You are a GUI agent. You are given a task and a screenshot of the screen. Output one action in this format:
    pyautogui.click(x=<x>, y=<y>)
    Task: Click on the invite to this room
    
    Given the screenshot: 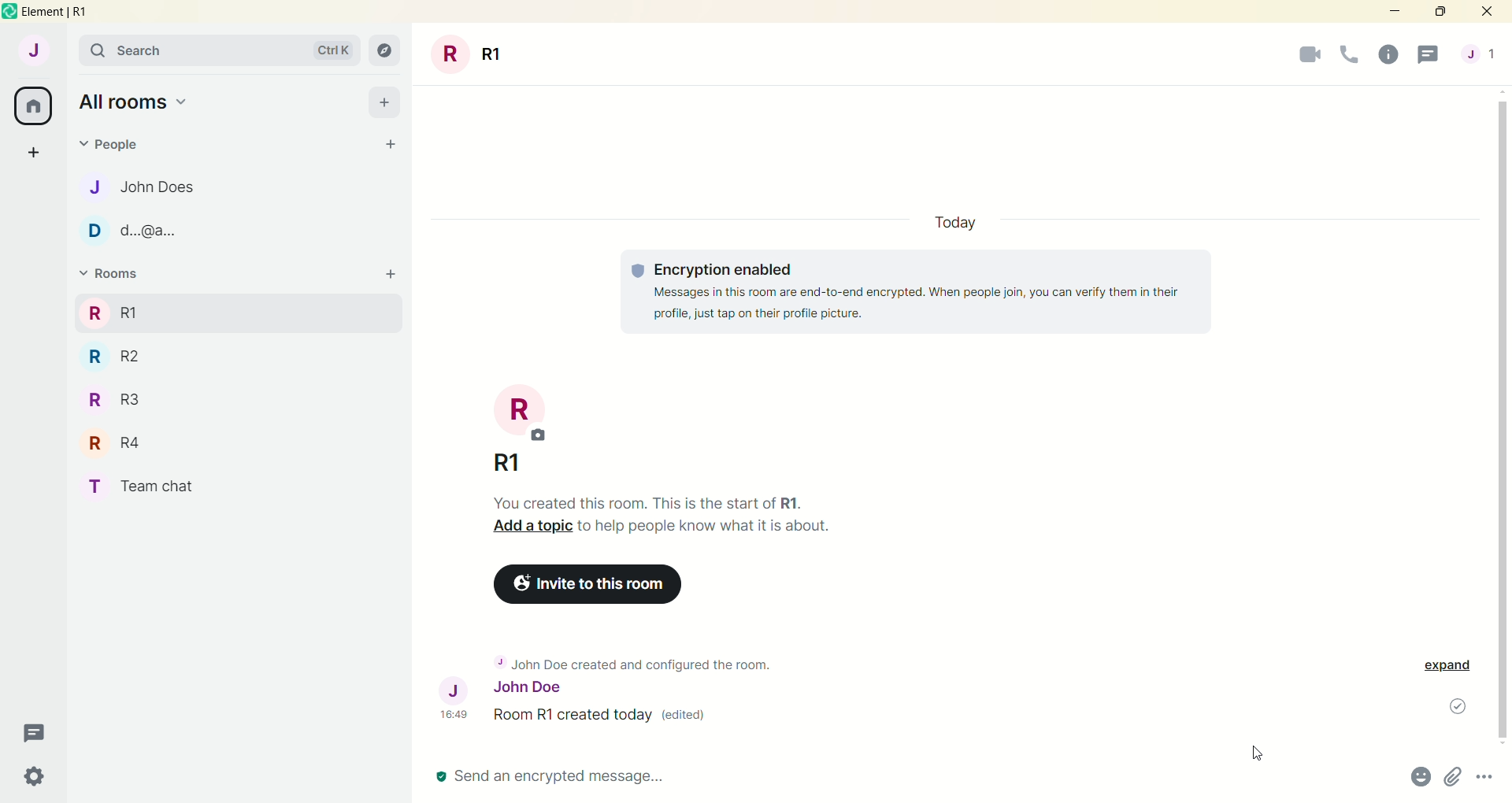 What is the action you would take?
    pyautogui.click(x=591, y=585)
    